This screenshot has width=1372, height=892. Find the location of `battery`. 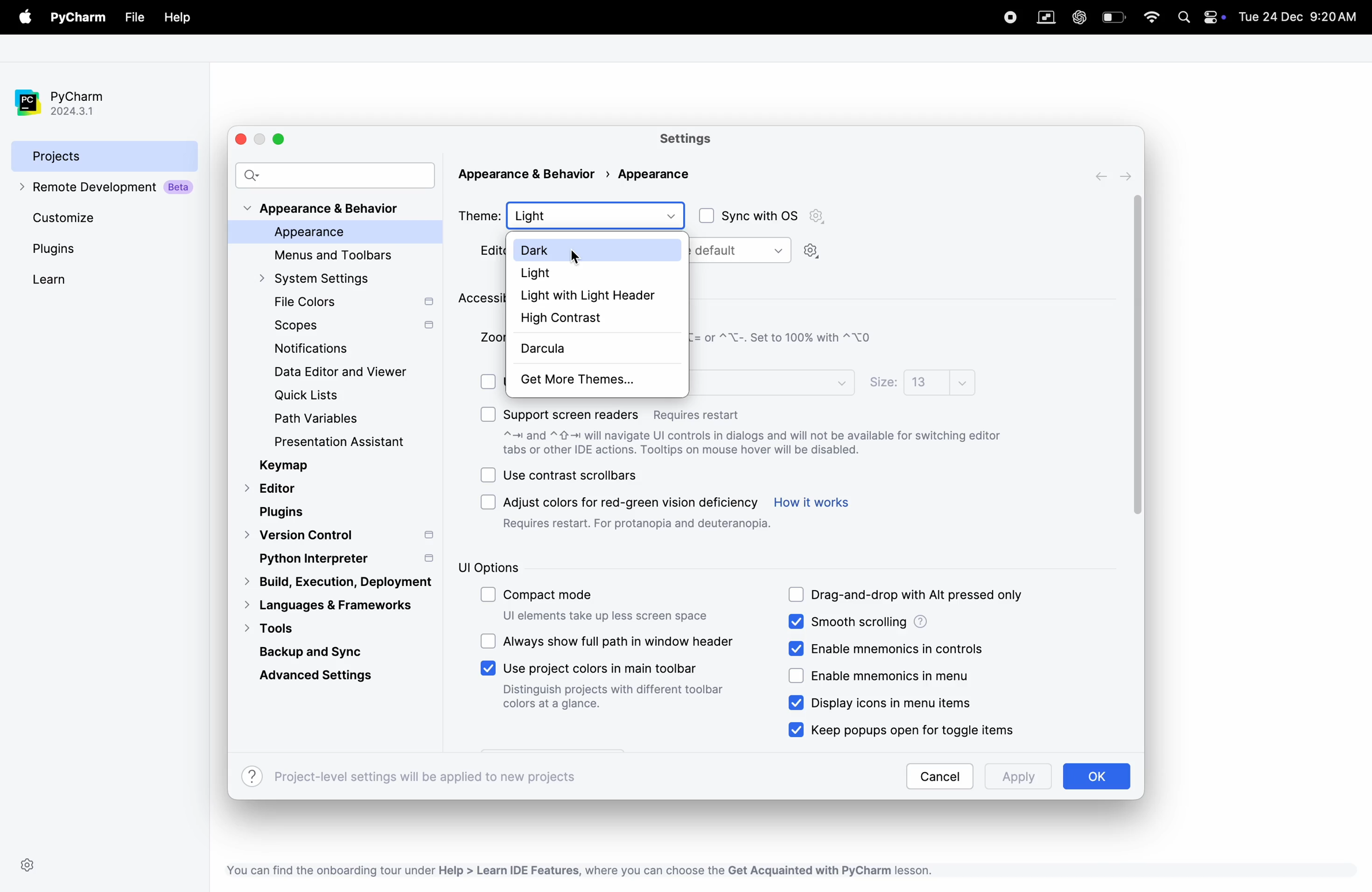

battery is located at coordinates (1114, 17).